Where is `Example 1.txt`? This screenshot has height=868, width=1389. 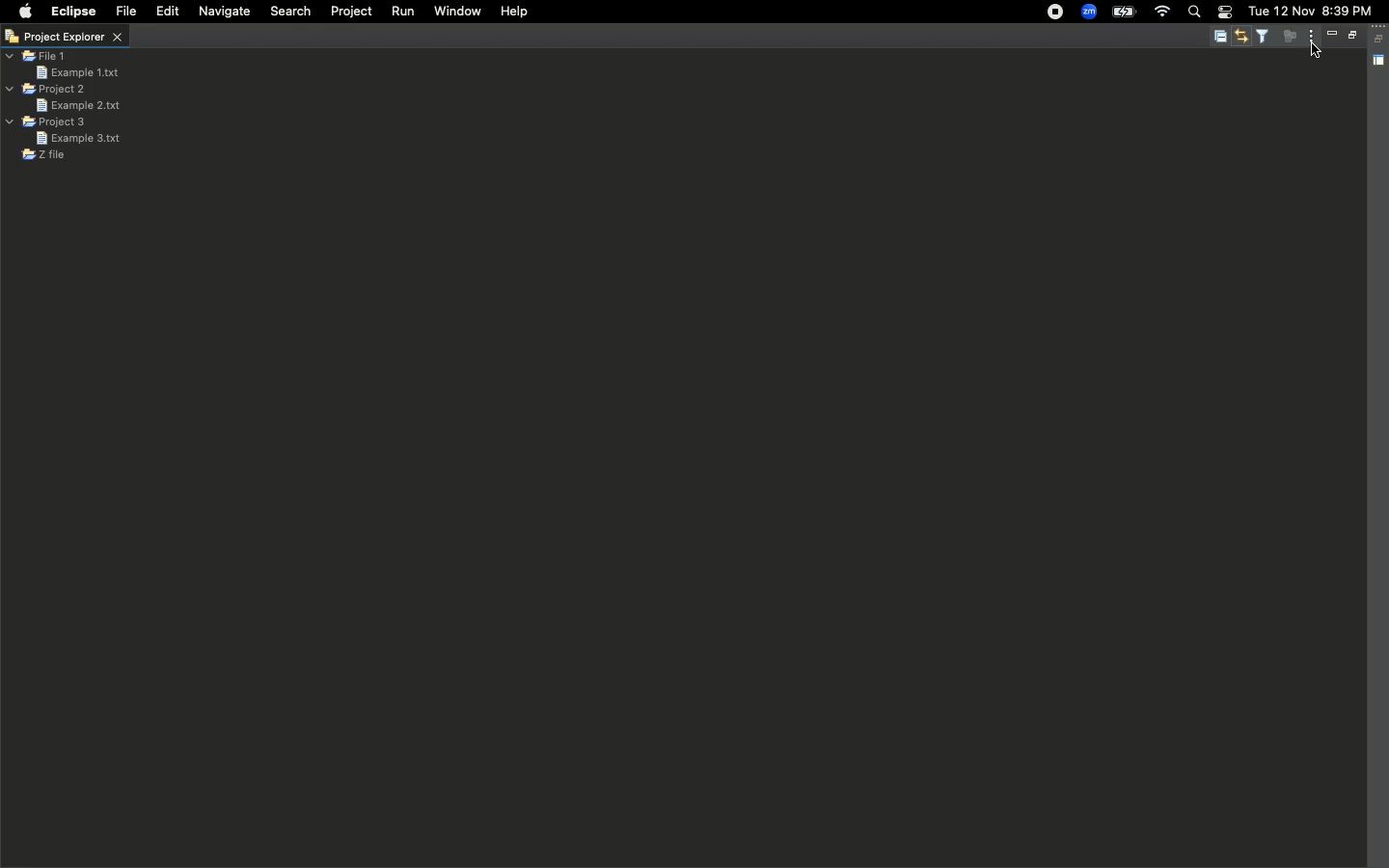
Example 1.txt is located at coordinates (77, 71).